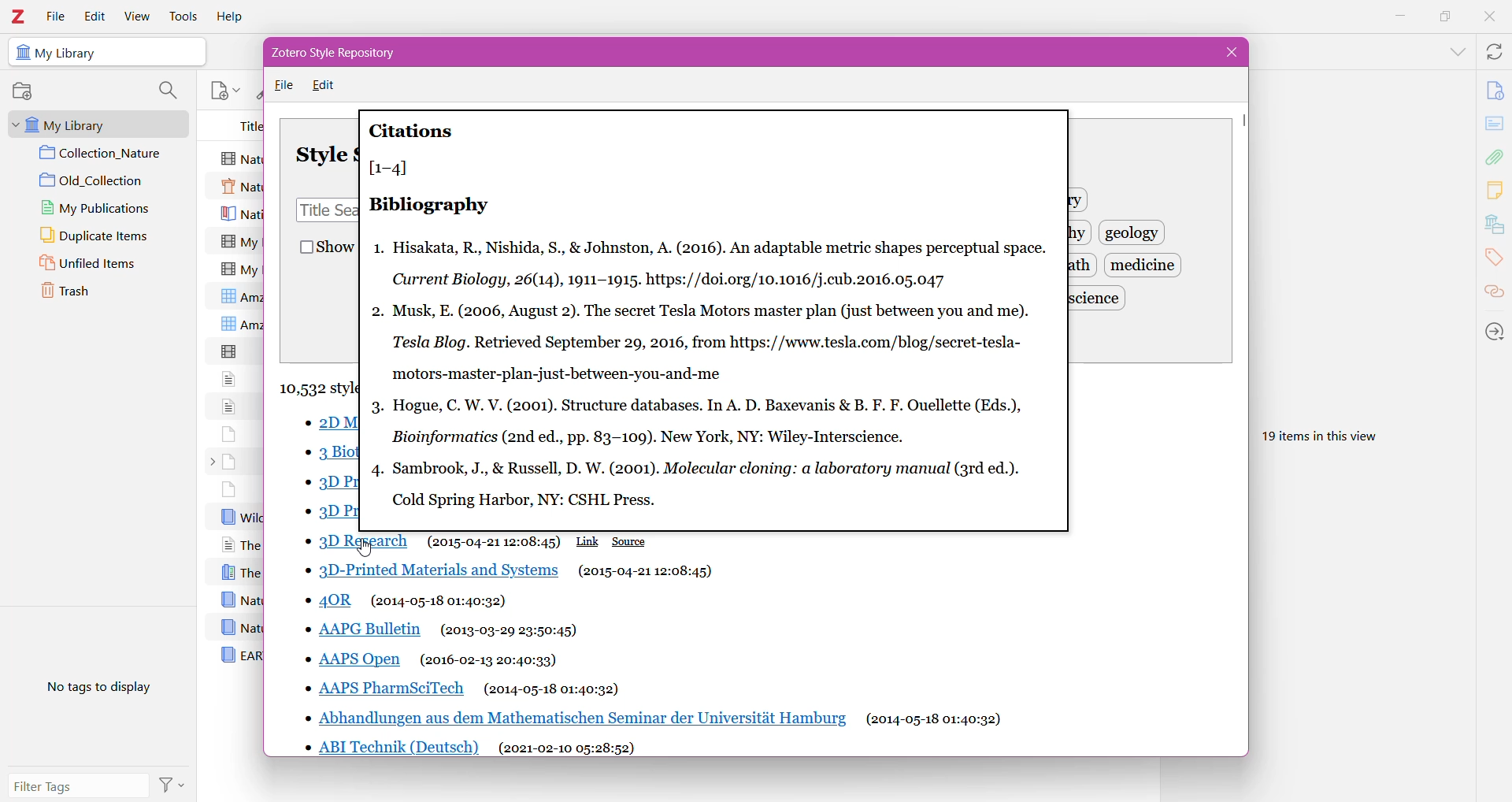  Describe the element at coordinates (631, 541) in the screenshot. I see `Source` at that location.